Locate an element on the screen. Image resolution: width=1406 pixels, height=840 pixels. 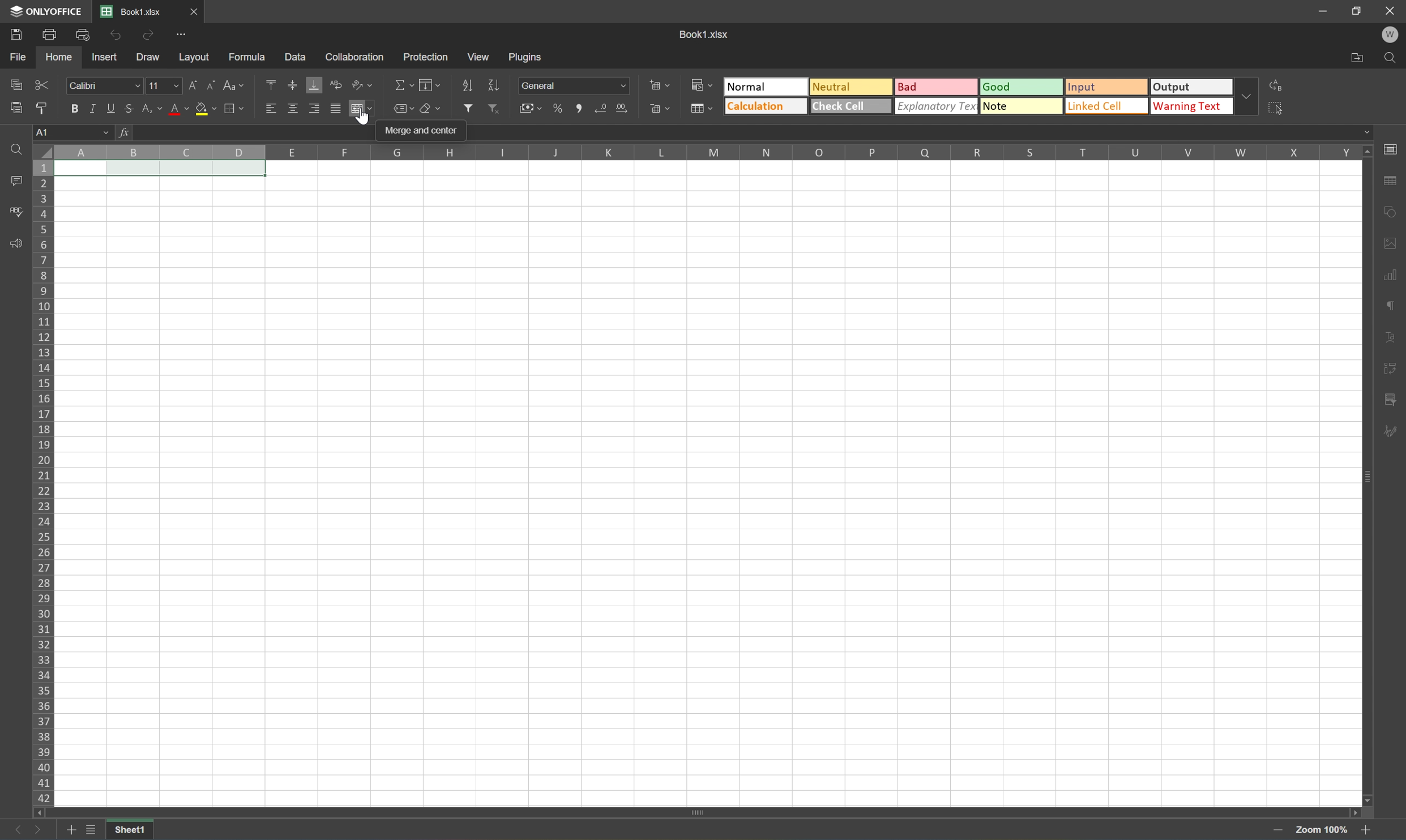
Decrease decimal is located at coordinates (604, 108).